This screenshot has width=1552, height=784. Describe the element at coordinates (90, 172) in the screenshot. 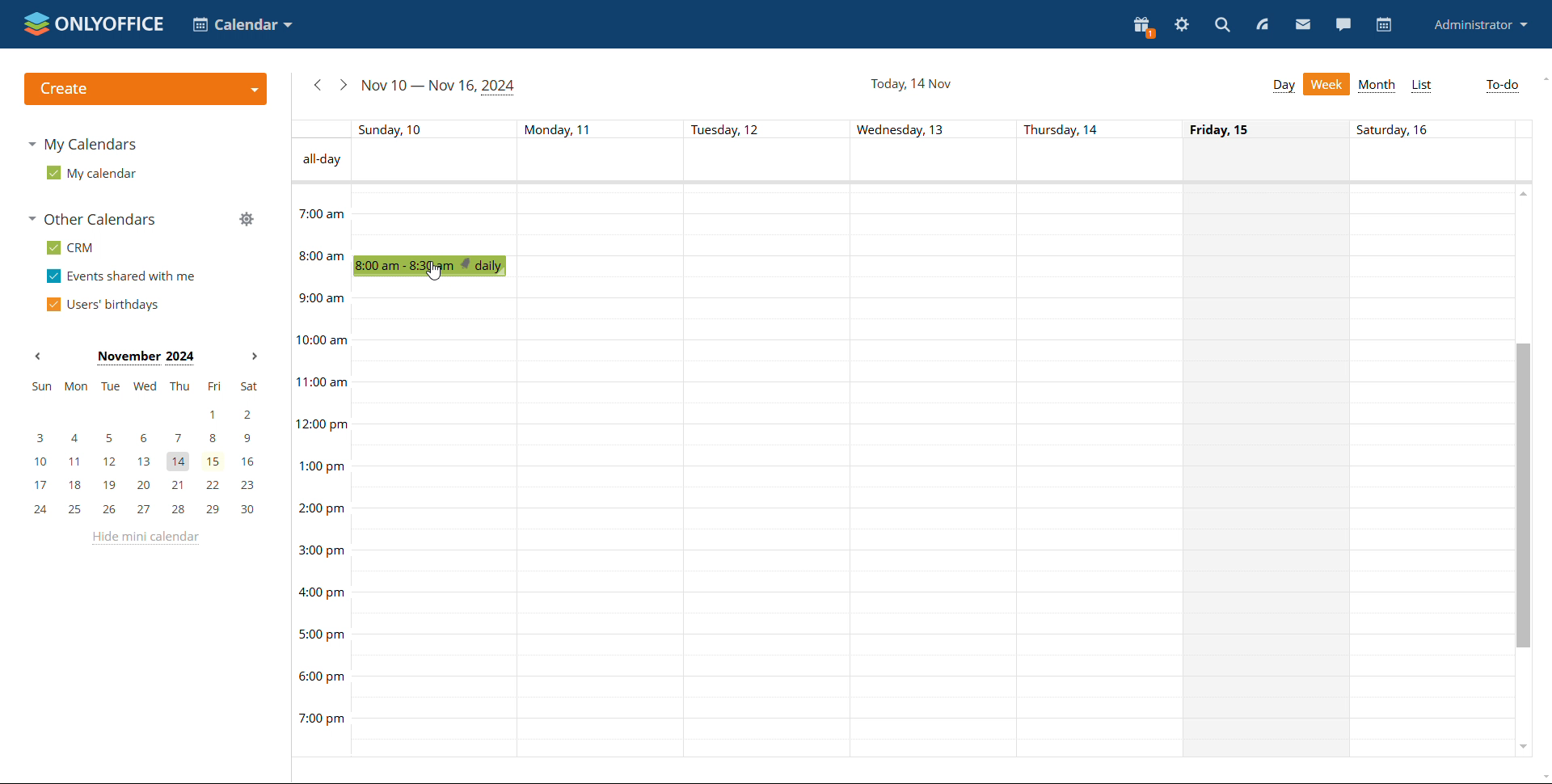

I see `my calendar` at that location.